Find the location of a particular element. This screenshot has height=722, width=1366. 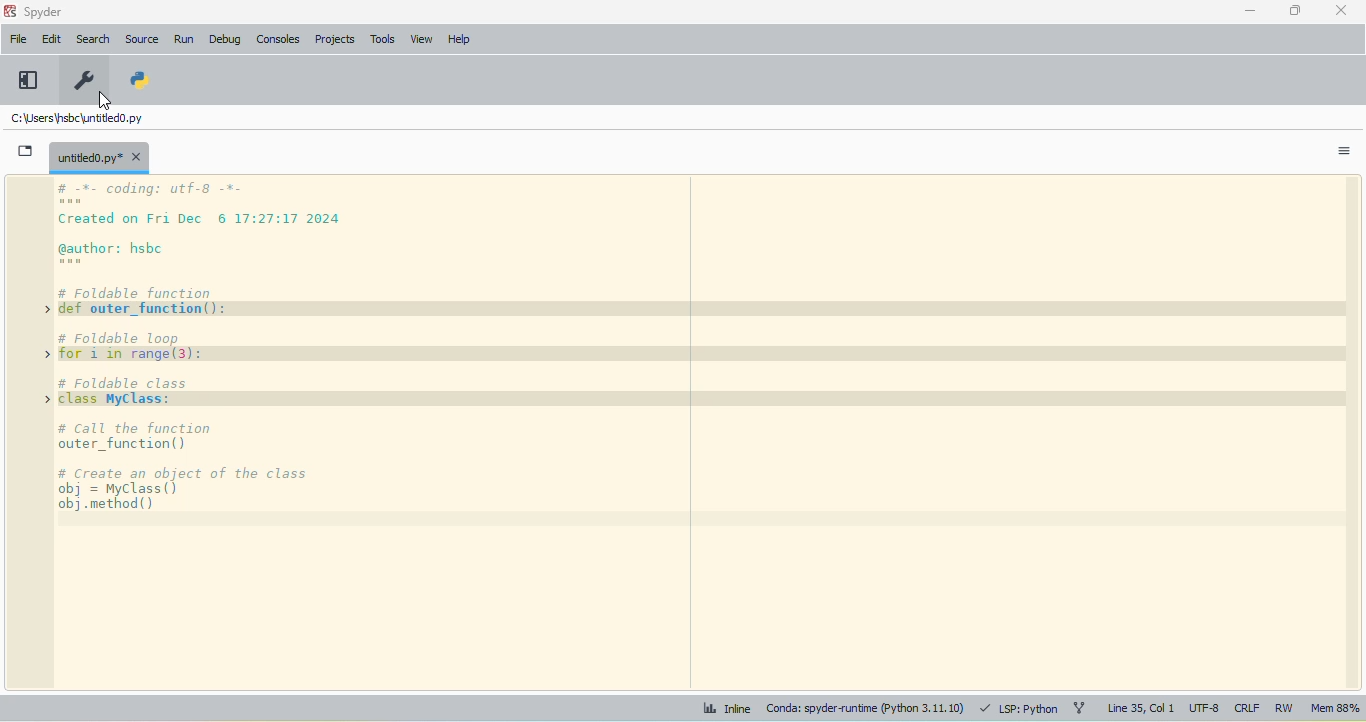

LSP: python is located at coordinates (1019, 708).